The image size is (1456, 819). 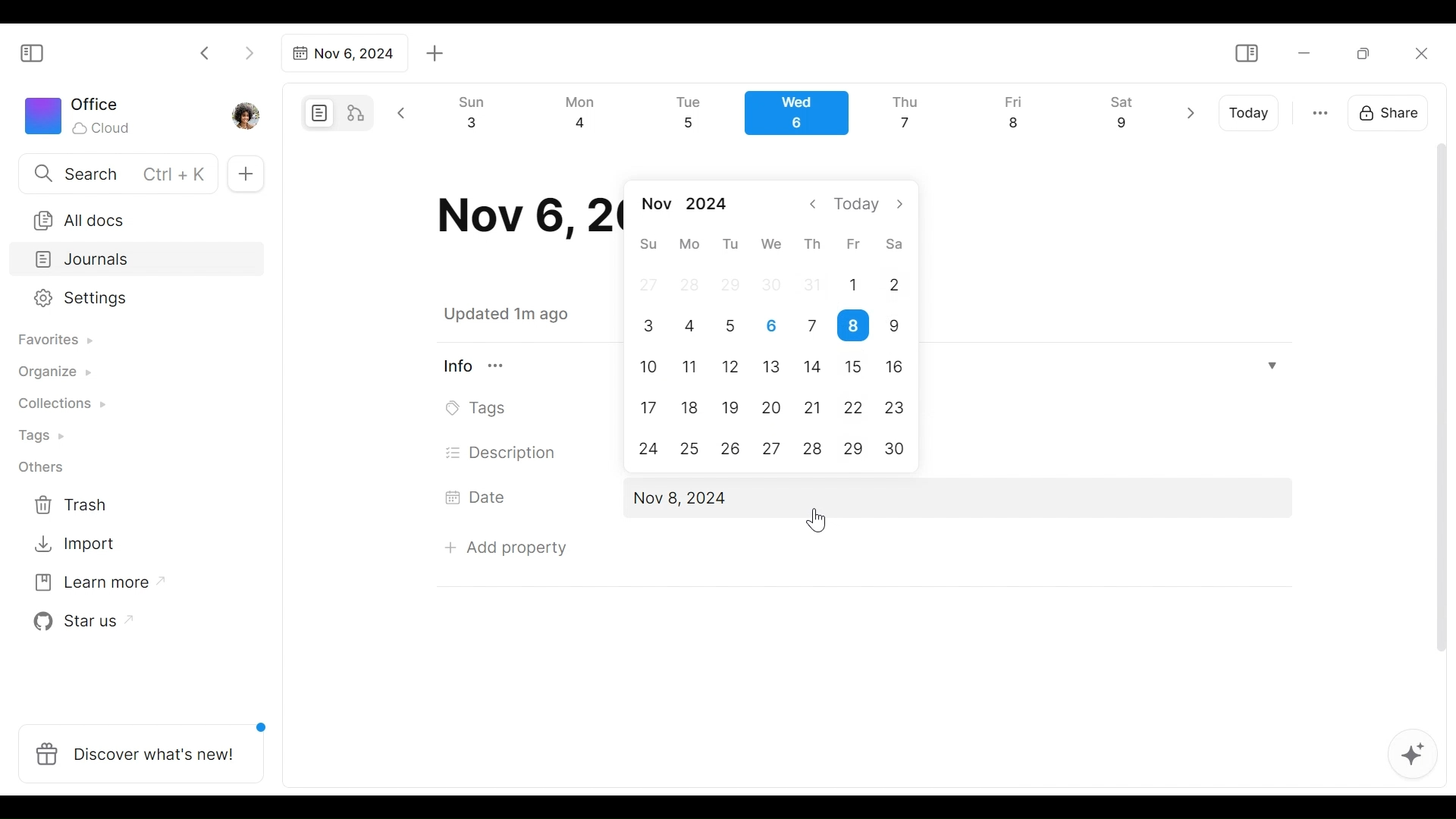 What do you see at coordinates (1246, 54) in the screenshot?
I see `Show/Hide Sidebar` at bounding box center [1246, 54].